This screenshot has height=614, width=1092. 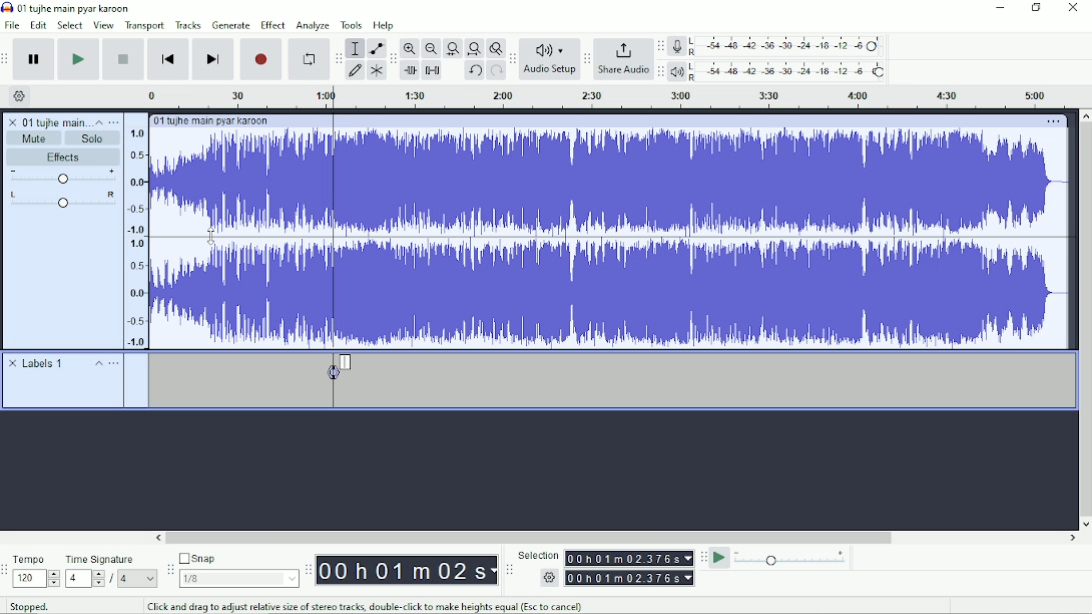 I want to click on Fit project to width, so click(x=473, y=48).